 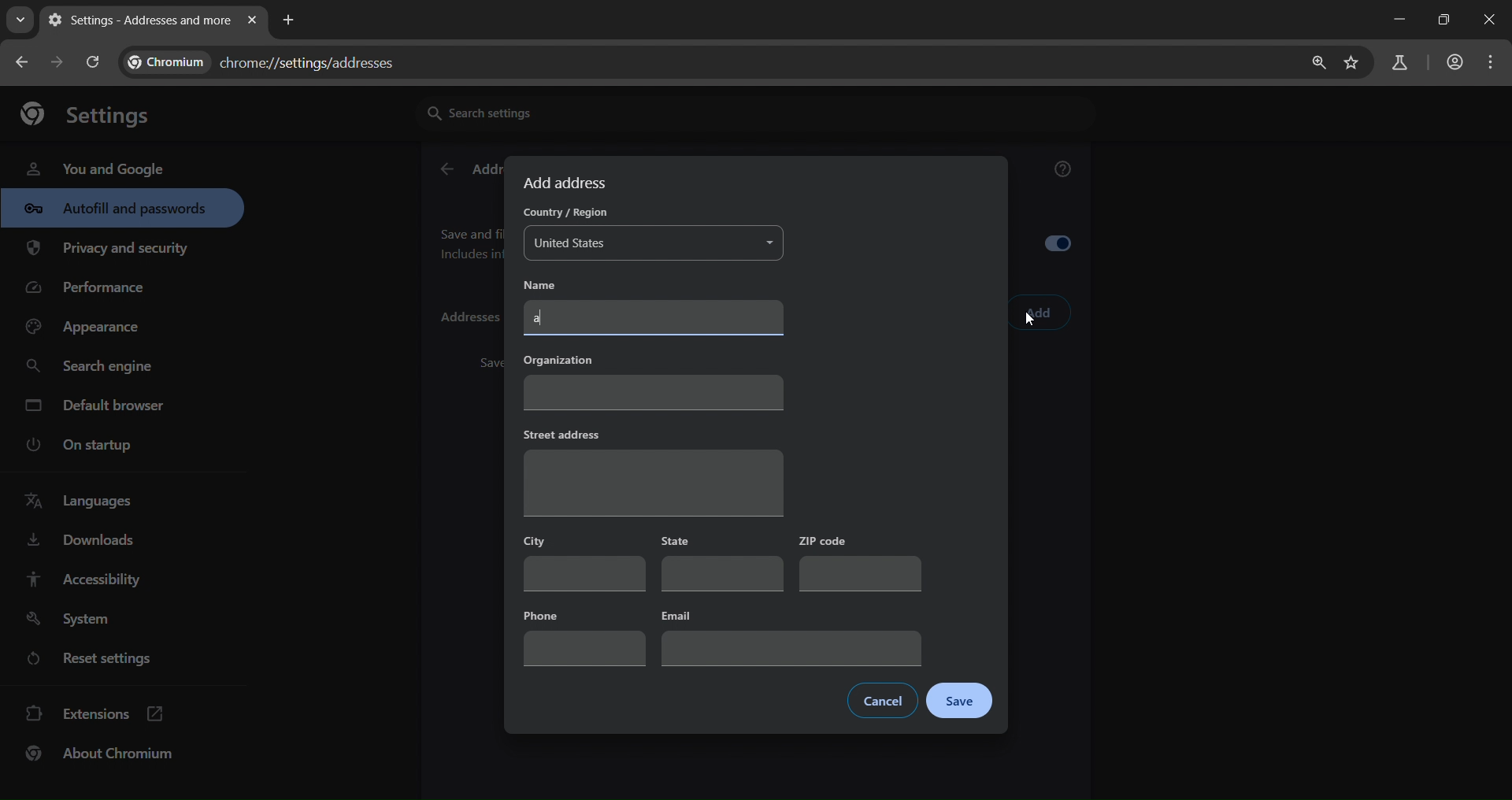 What do you see at coordinates (584, 635) in the screenshot?
I see `phone` at bounding box center [584, 635].